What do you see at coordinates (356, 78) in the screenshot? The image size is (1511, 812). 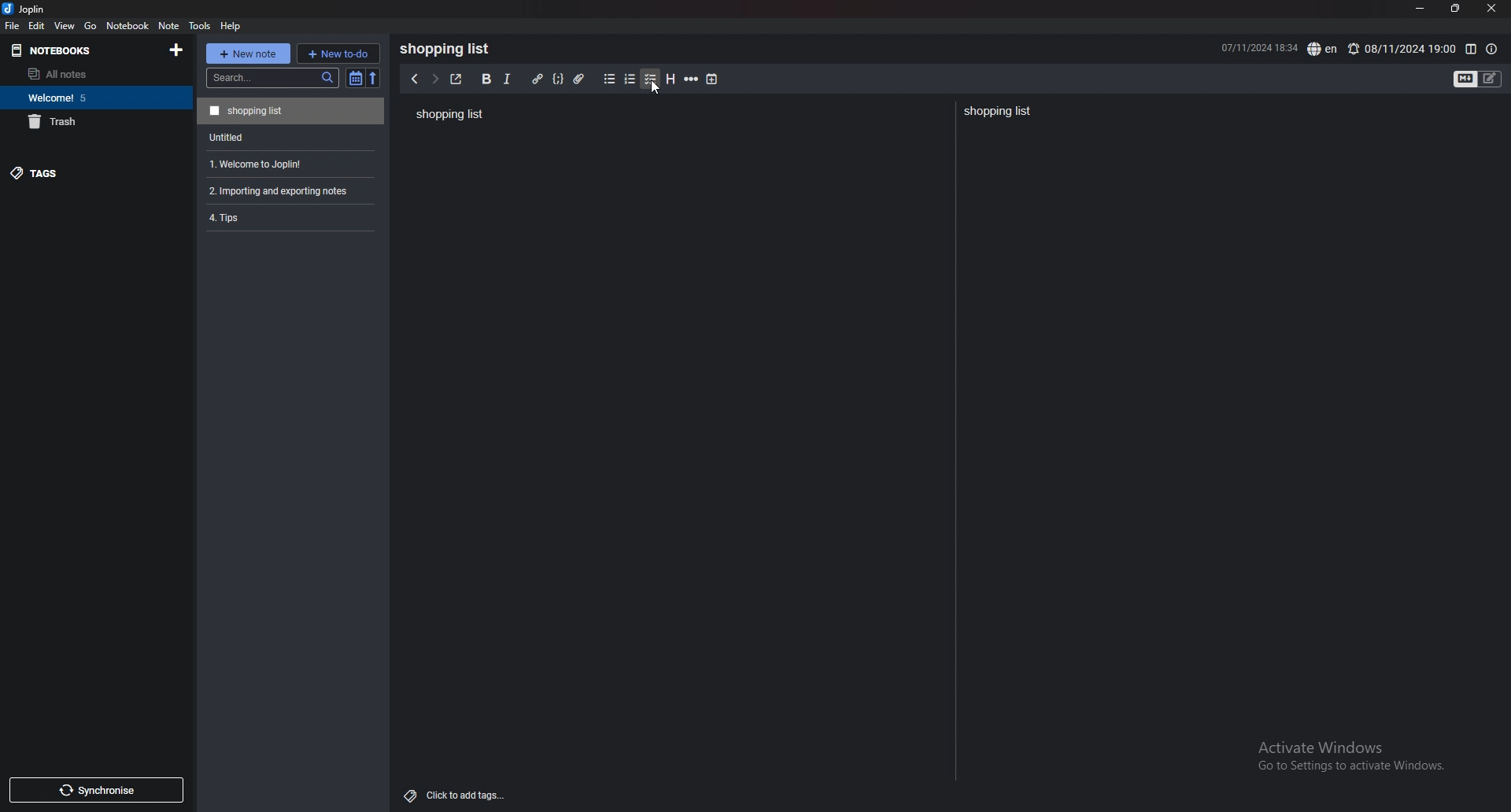 I see `toggle sort order` at bounding box center [356, 78].